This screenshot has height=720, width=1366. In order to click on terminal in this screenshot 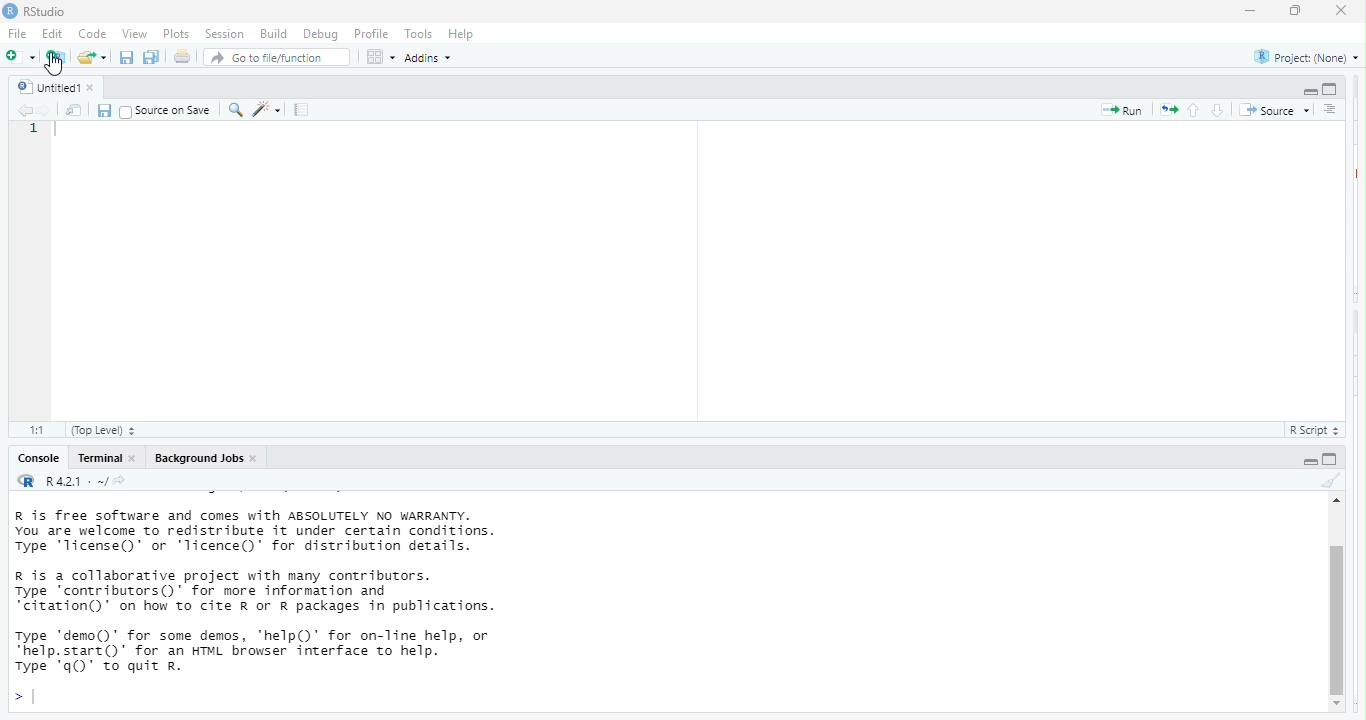, I will do `click(100, 459)`.